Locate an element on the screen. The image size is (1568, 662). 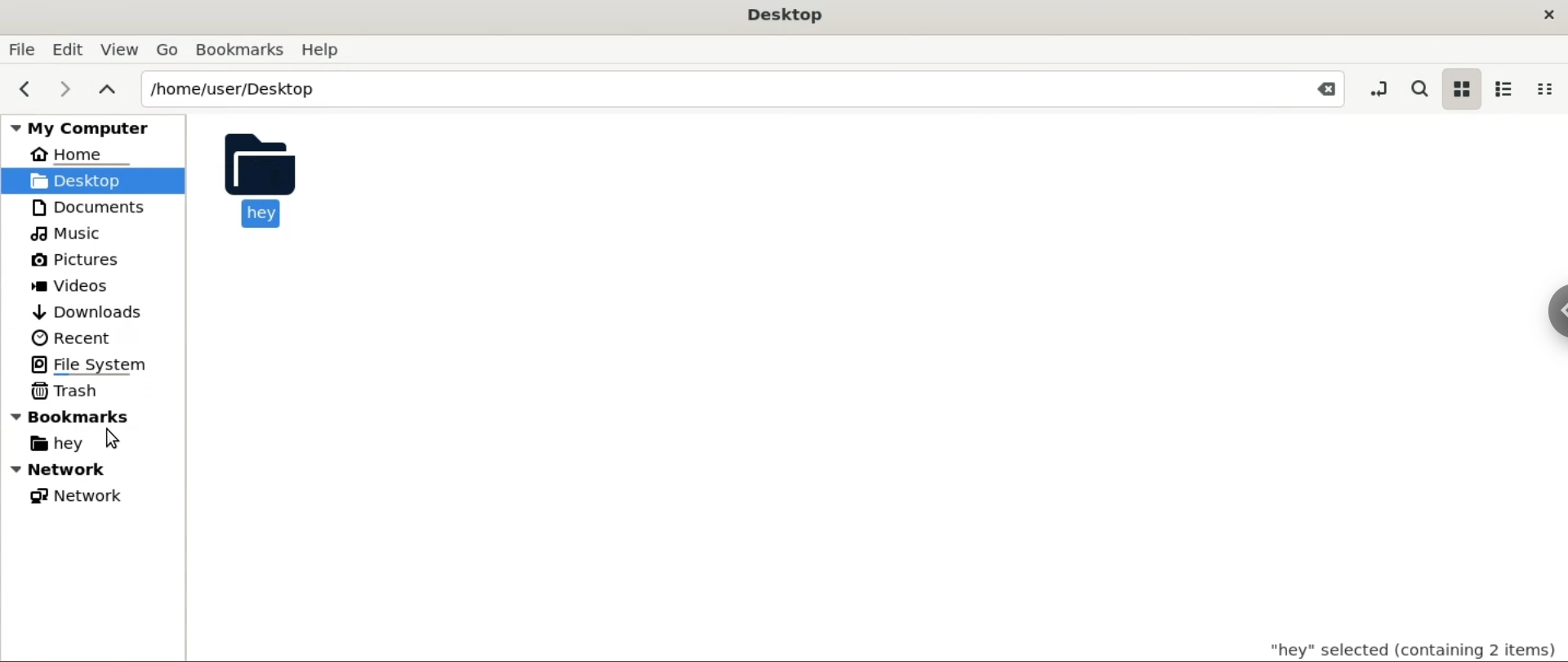
Help is located at coordinates (325, 51).